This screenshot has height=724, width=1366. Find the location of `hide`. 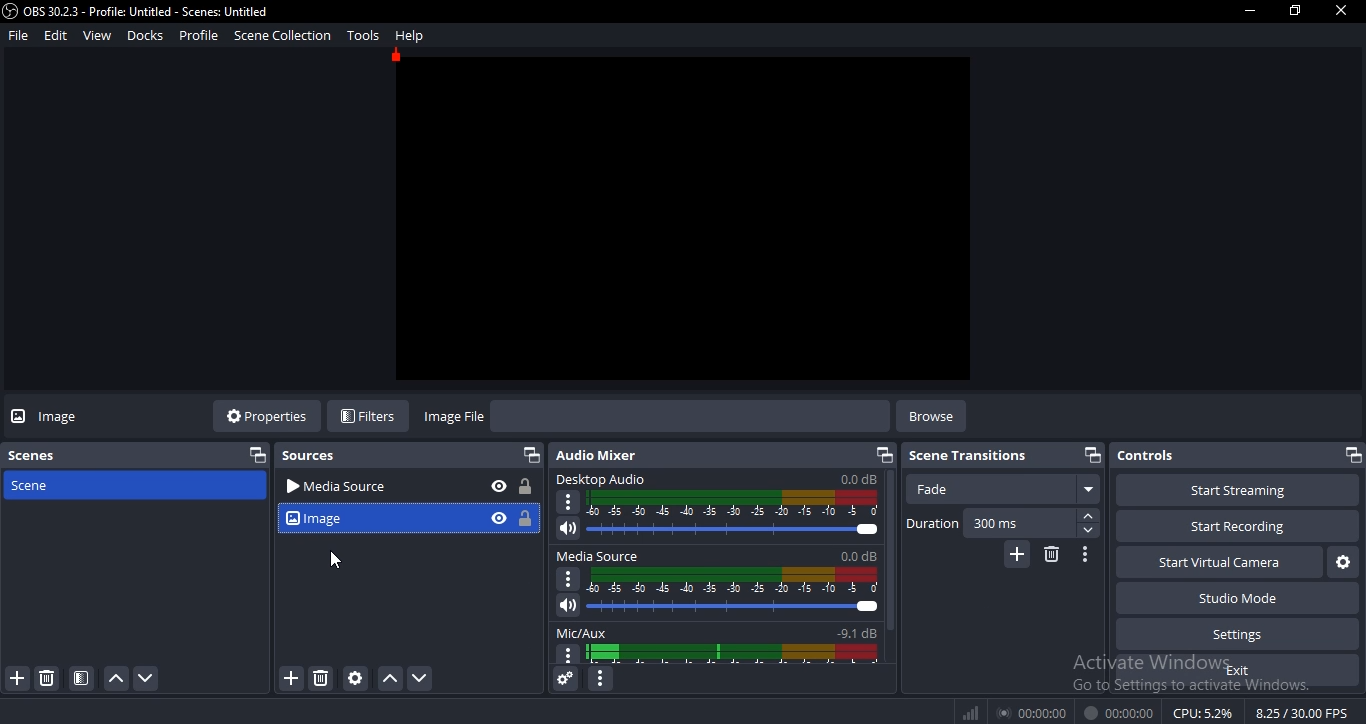

hide is located at coordinates (499, 517).